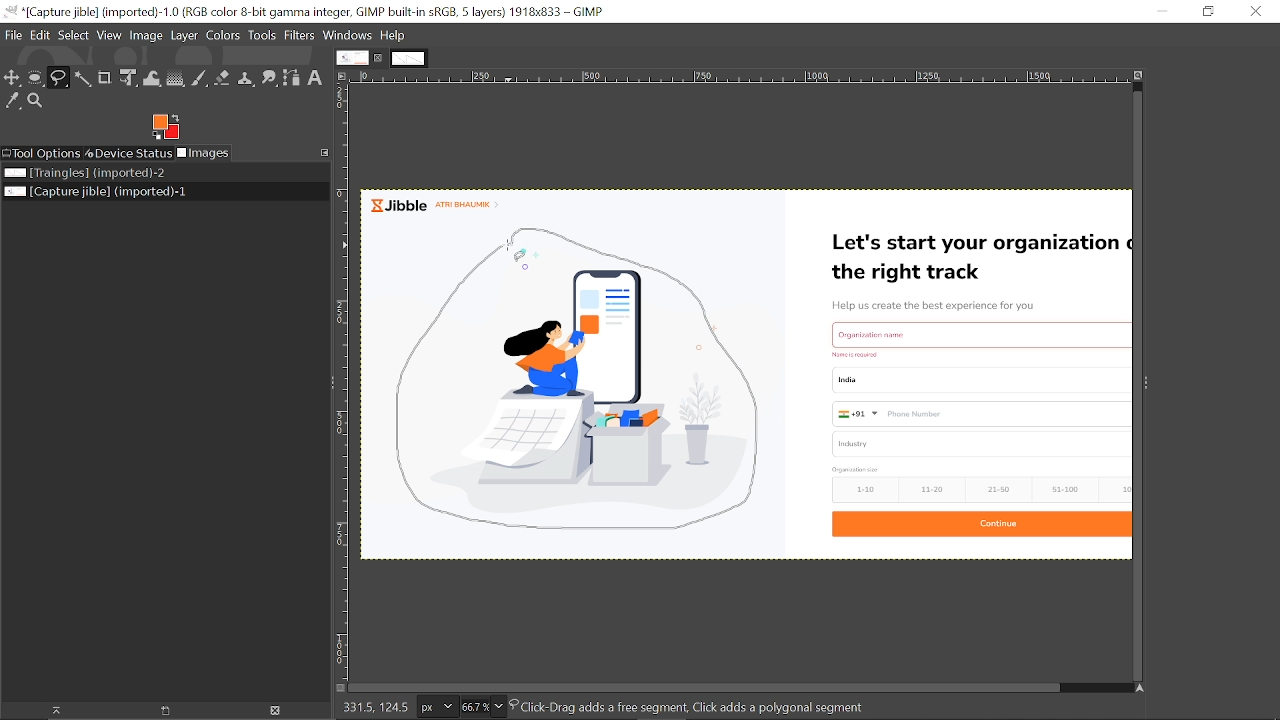  I want to click on Windows, so click(349, 36).